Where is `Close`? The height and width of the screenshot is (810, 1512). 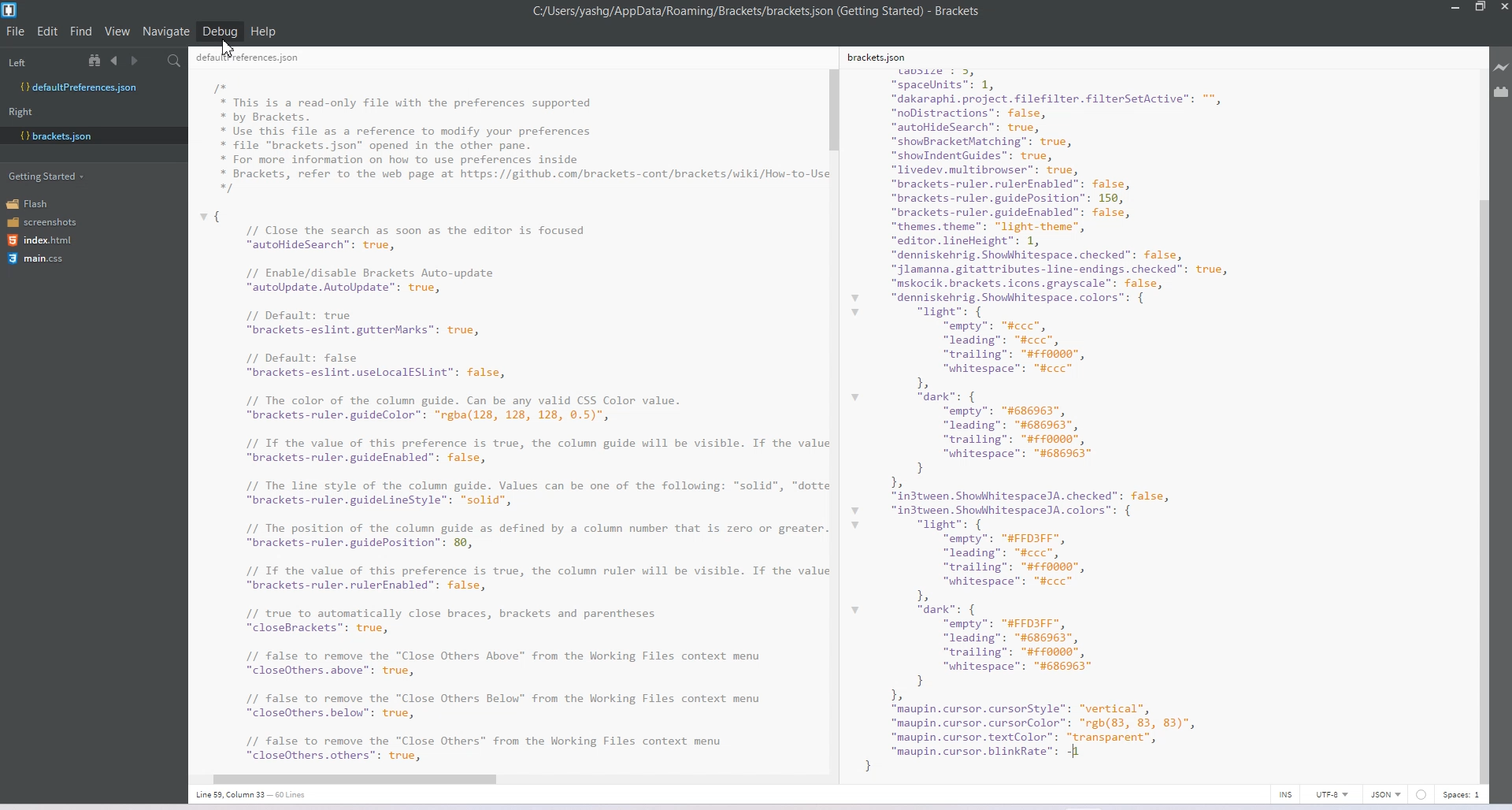
Close is located at coordinates (1503, 9).